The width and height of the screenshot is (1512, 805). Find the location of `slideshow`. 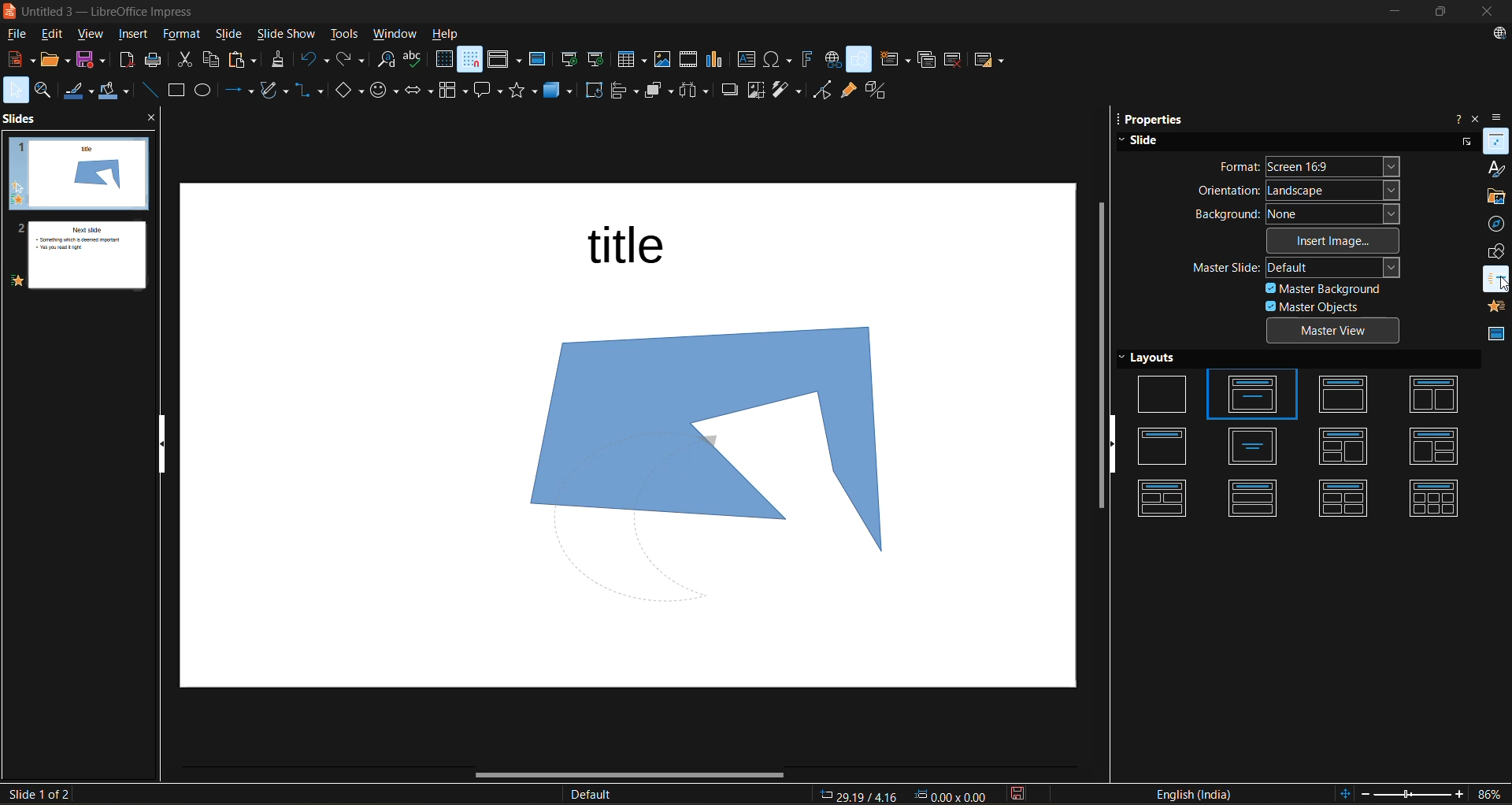

slideshow is located at coordinates (289, 33).